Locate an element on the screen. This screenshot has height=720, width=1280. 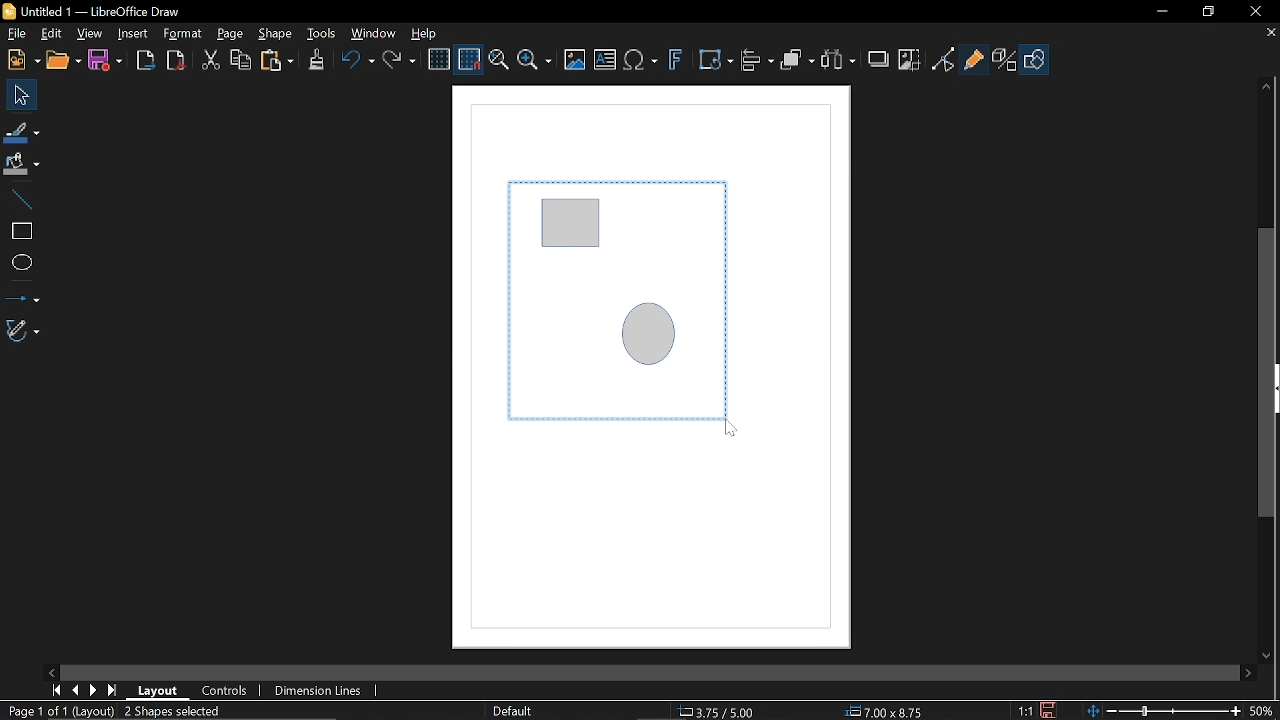
Align is located at coordinates (757, 62).